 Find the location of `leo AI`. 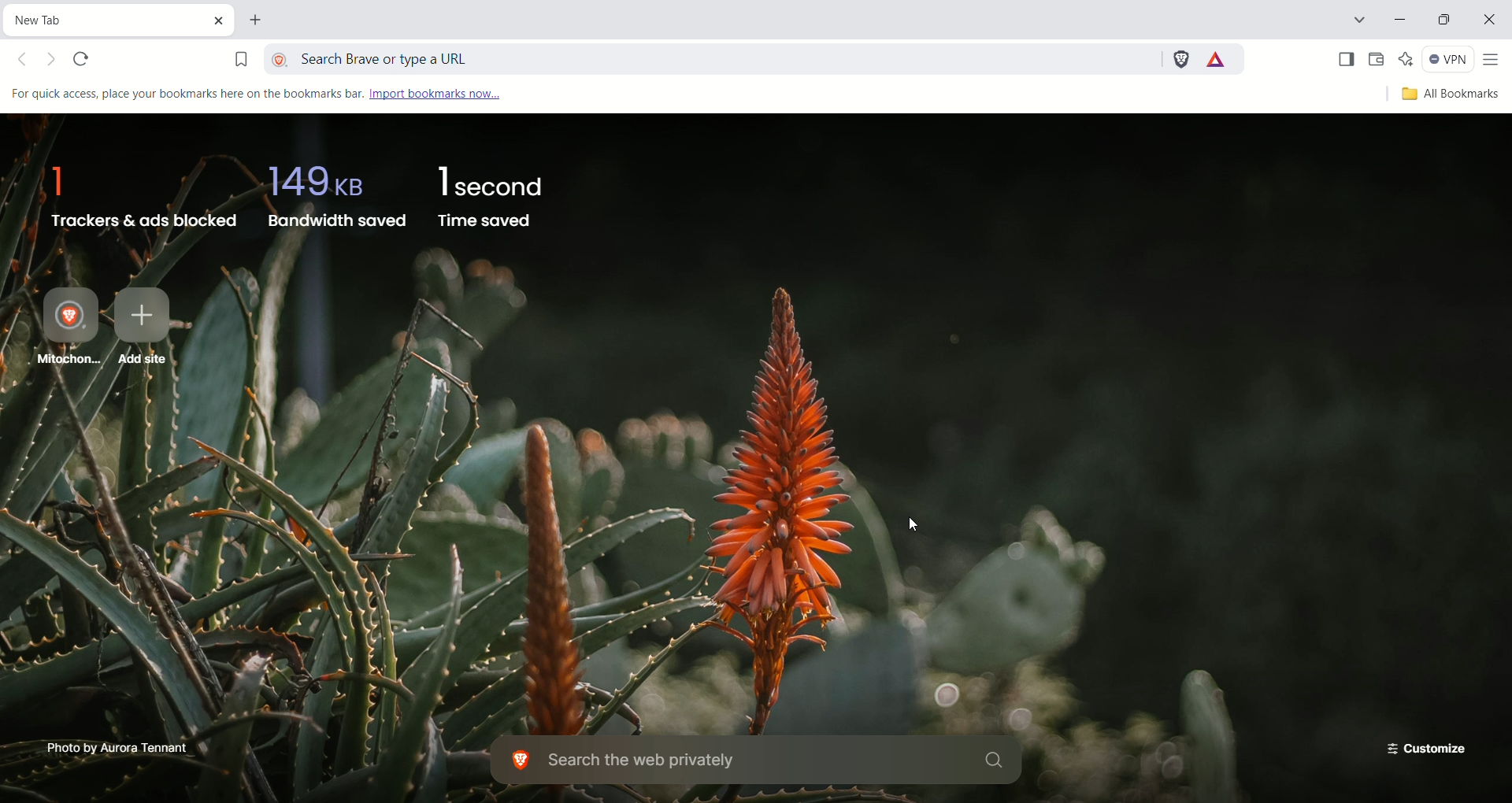

leo AI is located at coordinates (1406, 59).